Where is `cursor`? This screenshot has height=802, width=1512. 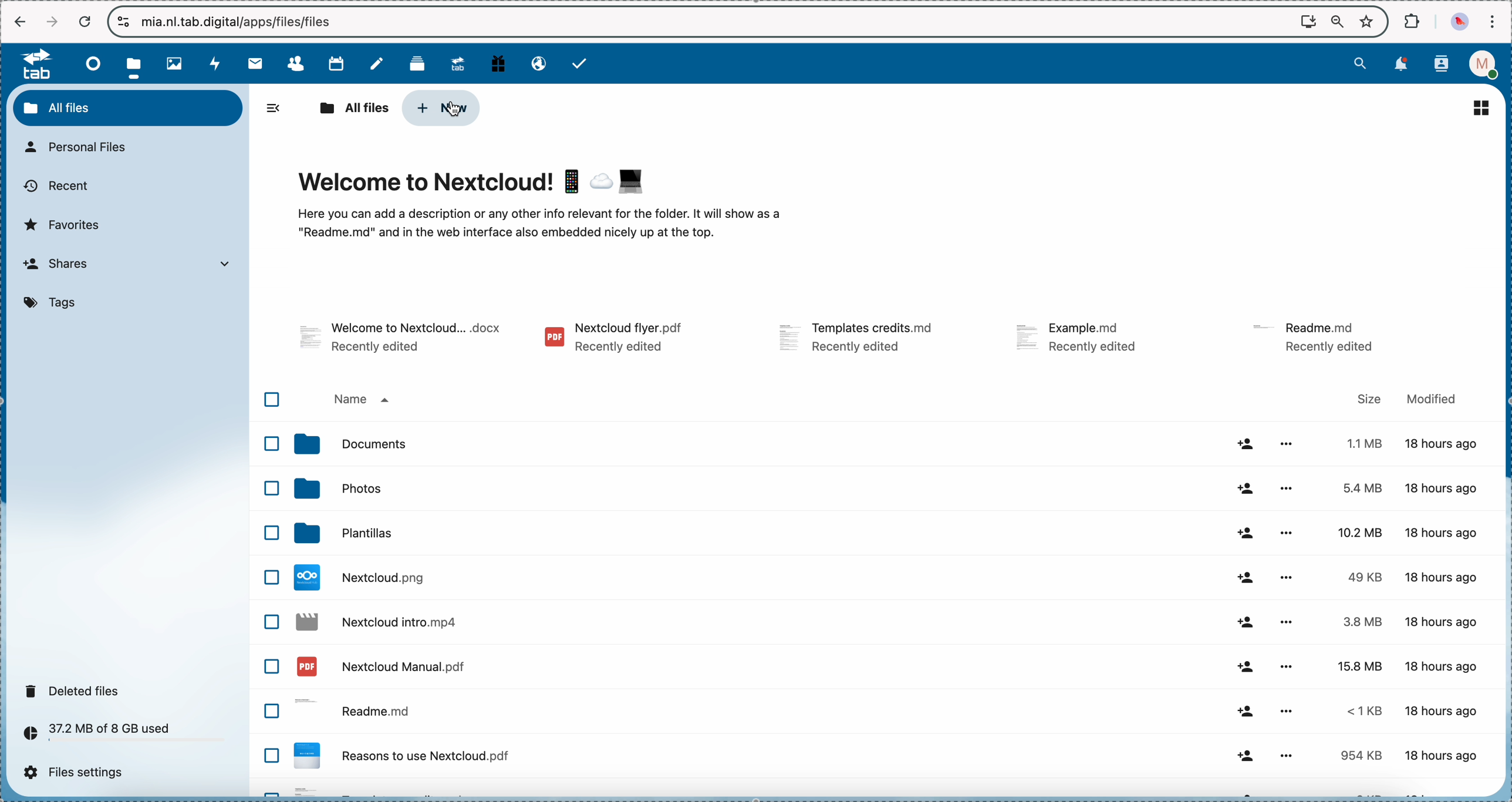 cursor is located at coordinates (458, 112).